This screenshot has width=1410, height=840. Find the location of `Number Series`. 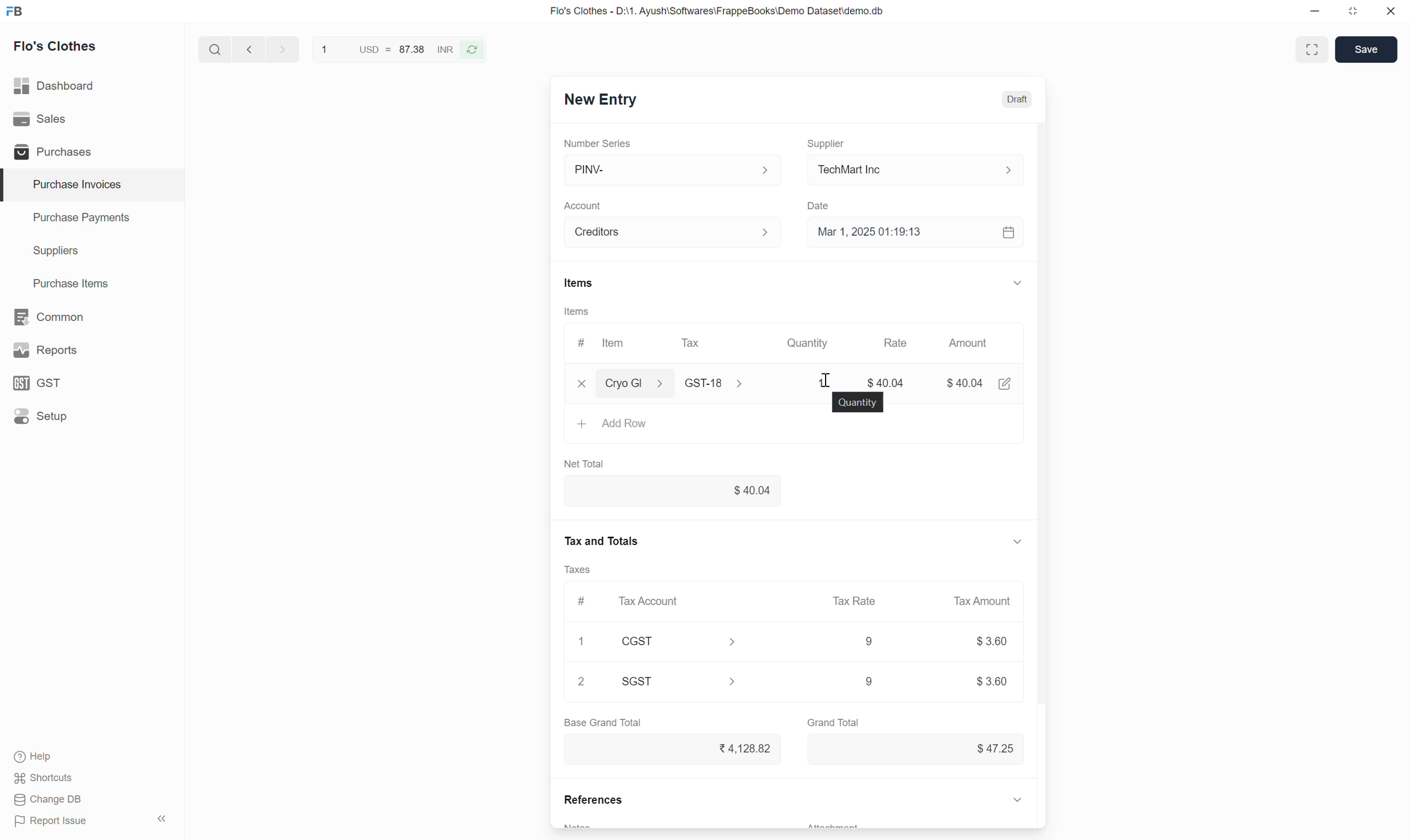

Number Series is located at coordinates (604, 142).